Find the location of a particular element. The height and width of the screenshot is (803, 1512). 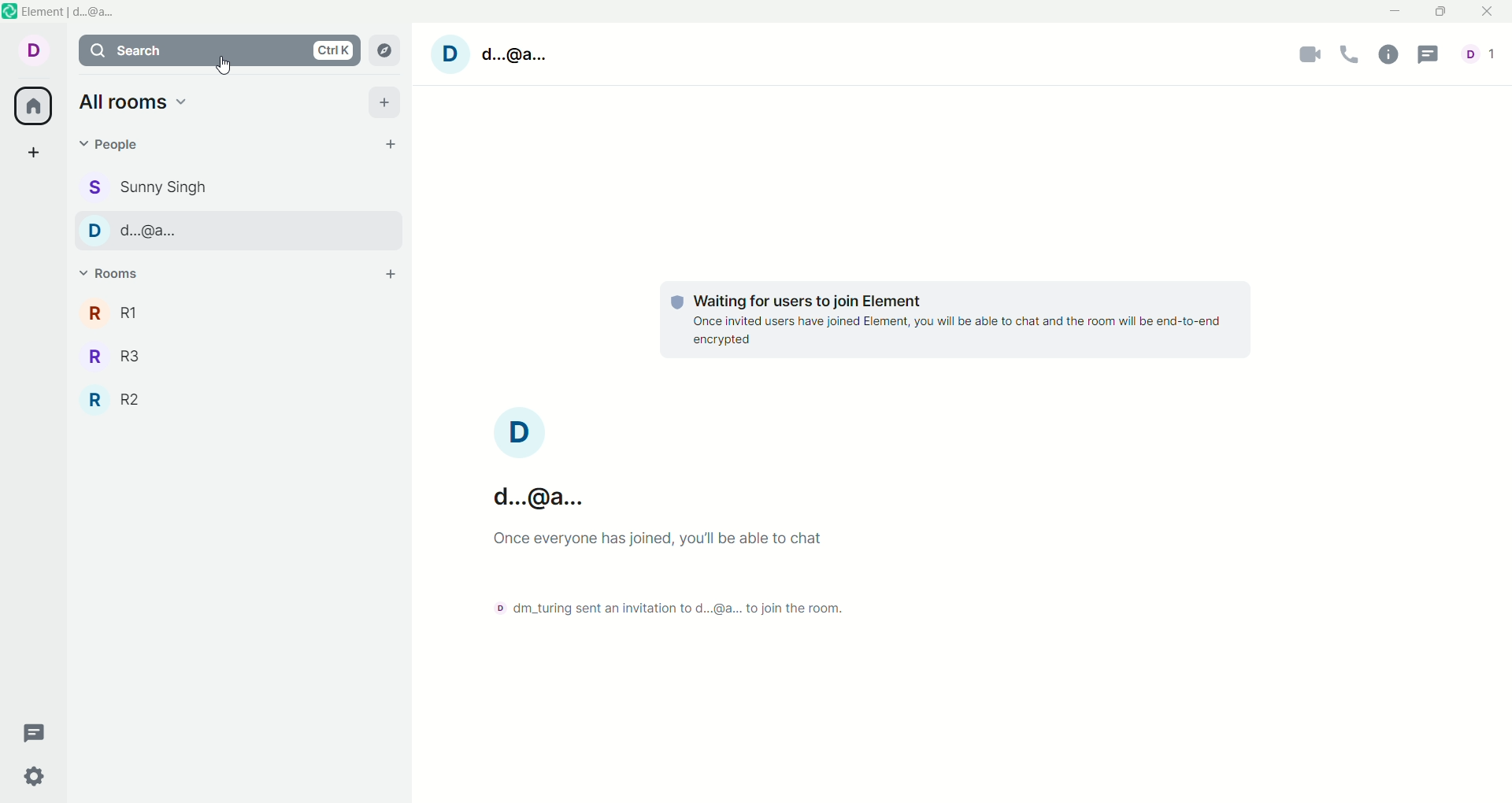

element is located at coordinates (73, 13).